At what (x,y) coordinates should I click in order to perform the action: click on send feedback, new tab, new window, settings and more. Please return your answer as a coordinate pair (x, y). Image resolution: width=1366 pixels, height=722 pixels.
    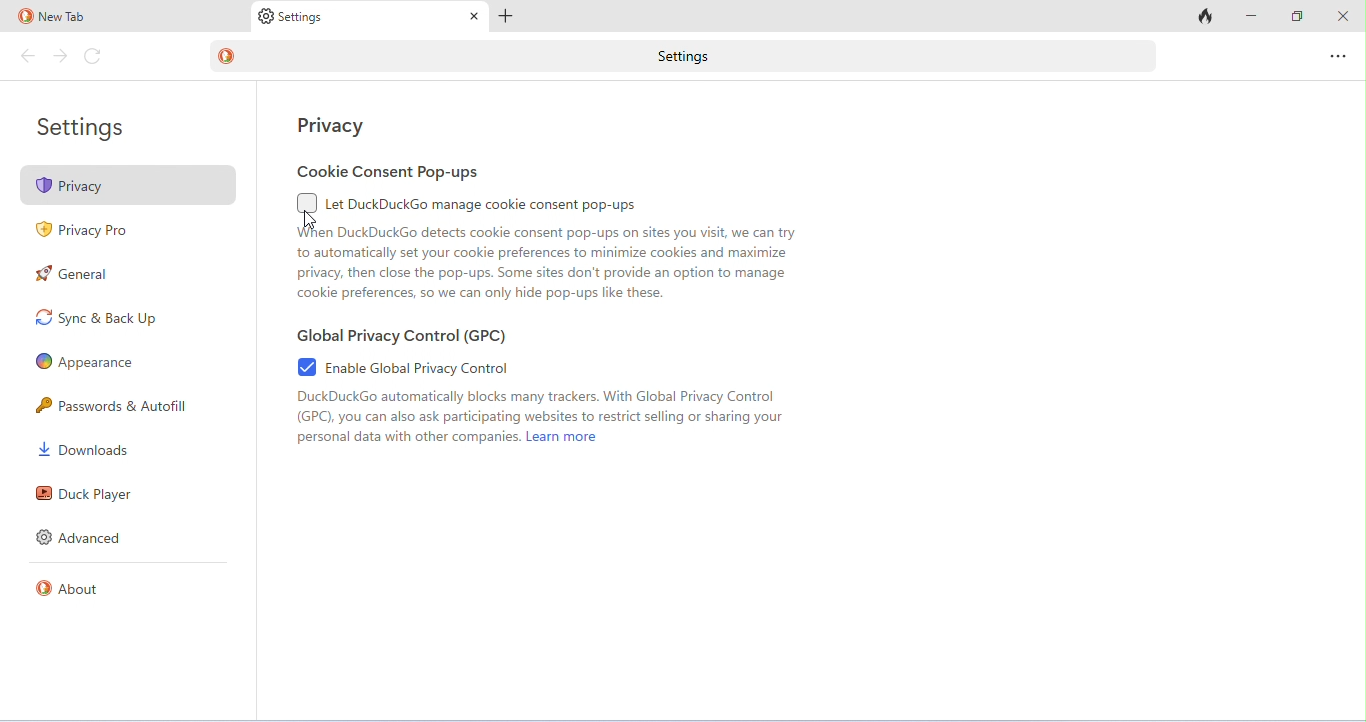
    Looking at the image, I should click on (1336, 56).